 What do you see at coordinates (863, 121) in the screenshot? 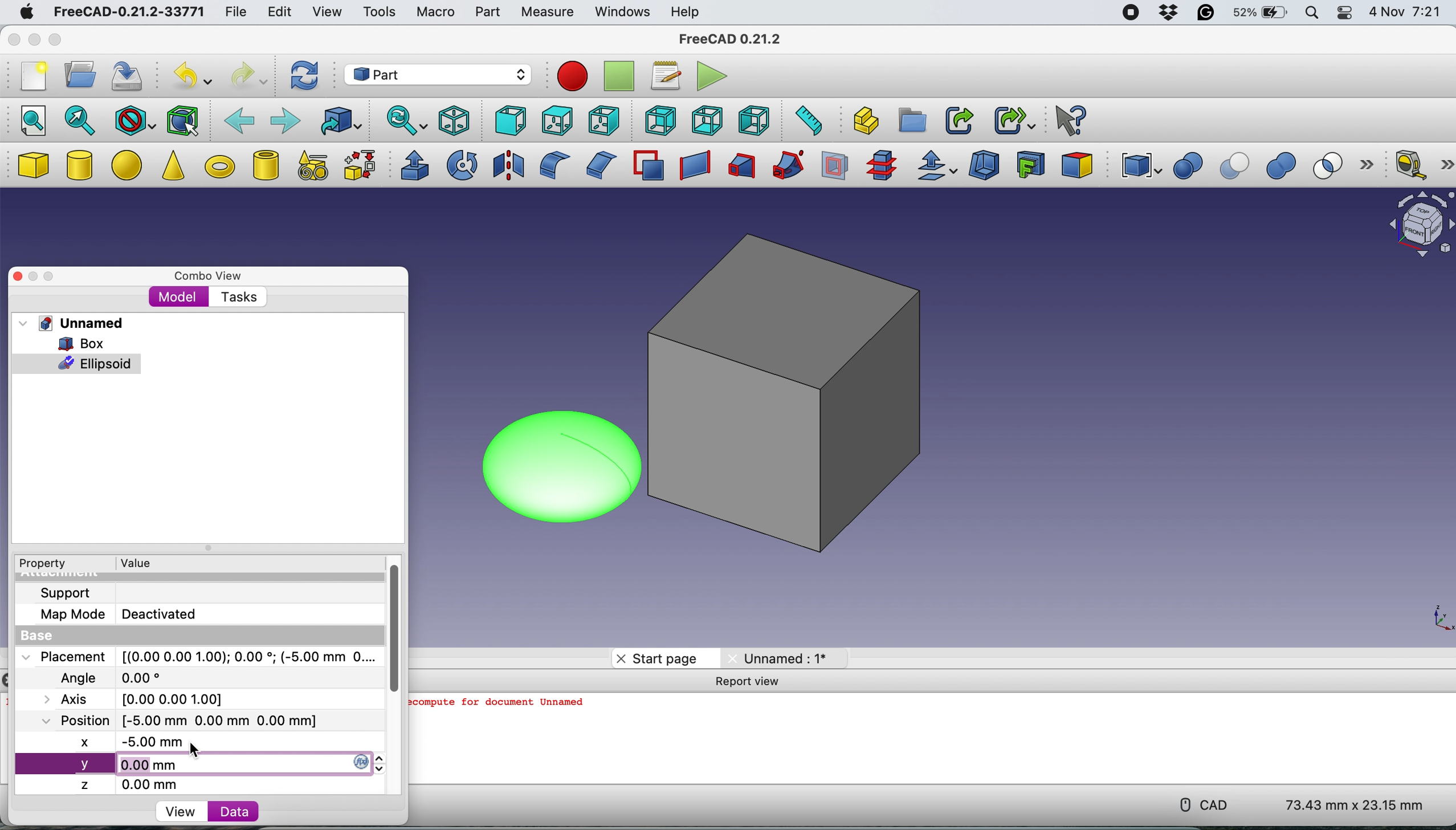
I see `create part` at bounding box center [863, 121].